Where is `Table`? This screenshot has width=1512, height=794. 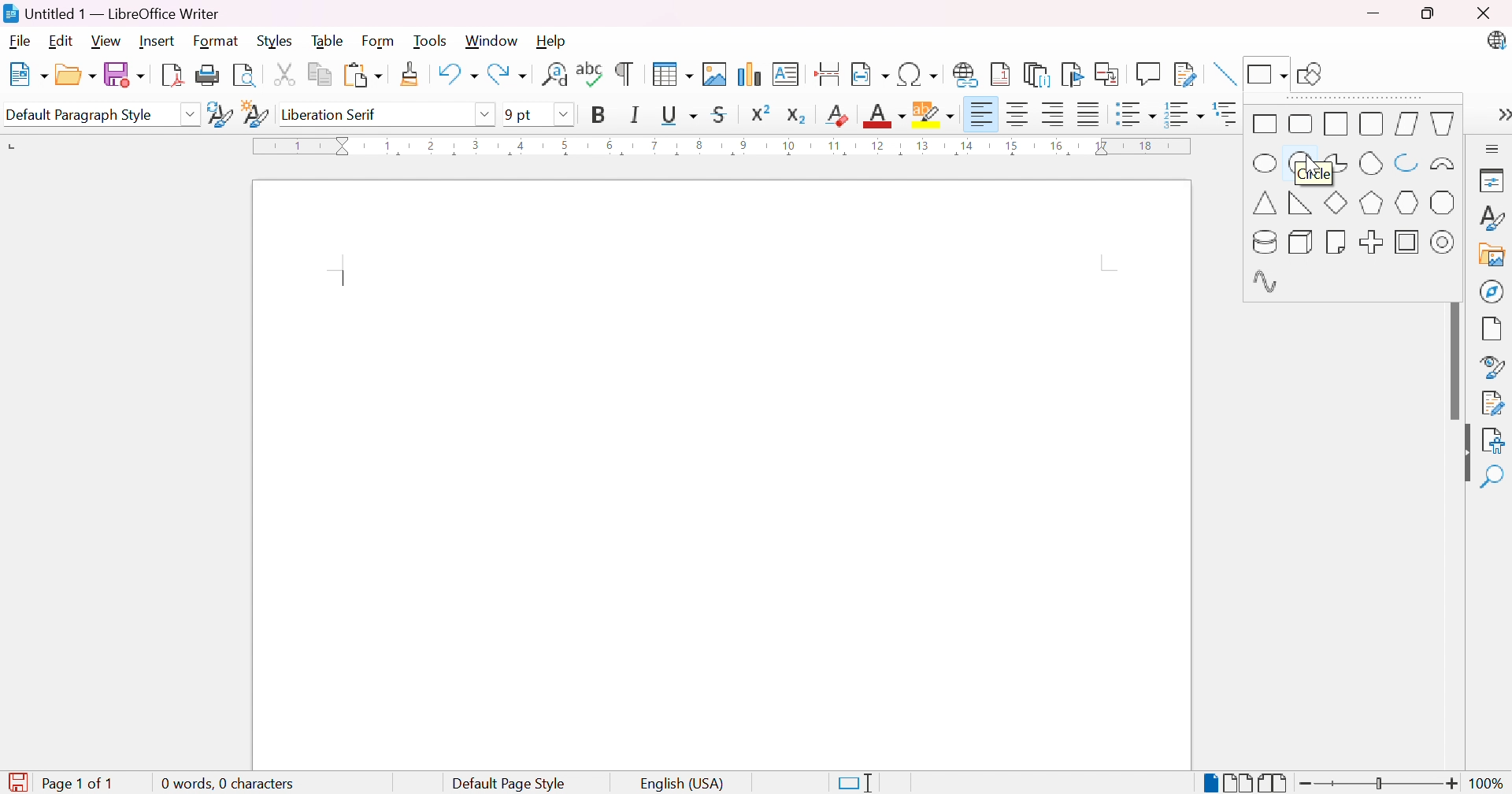
Table is located at coordinates (329, 40).